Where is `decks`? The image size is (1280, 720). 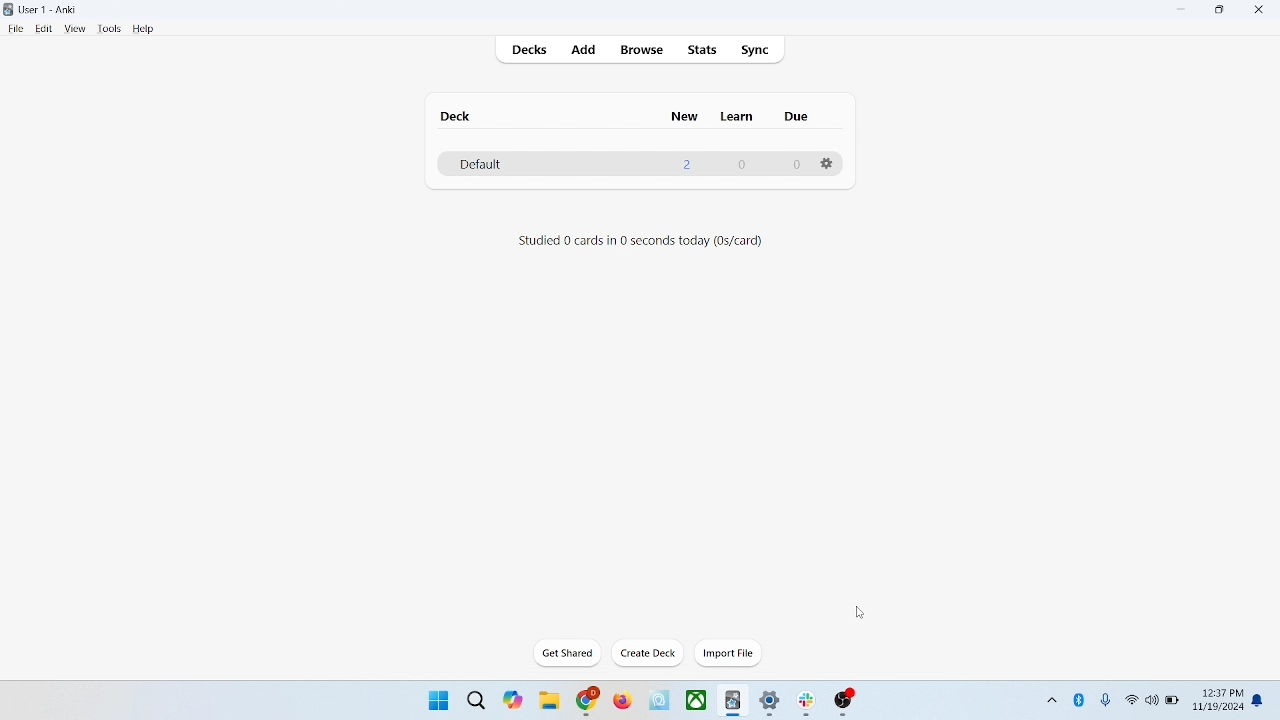
decks is located at coordinates (532, 52).